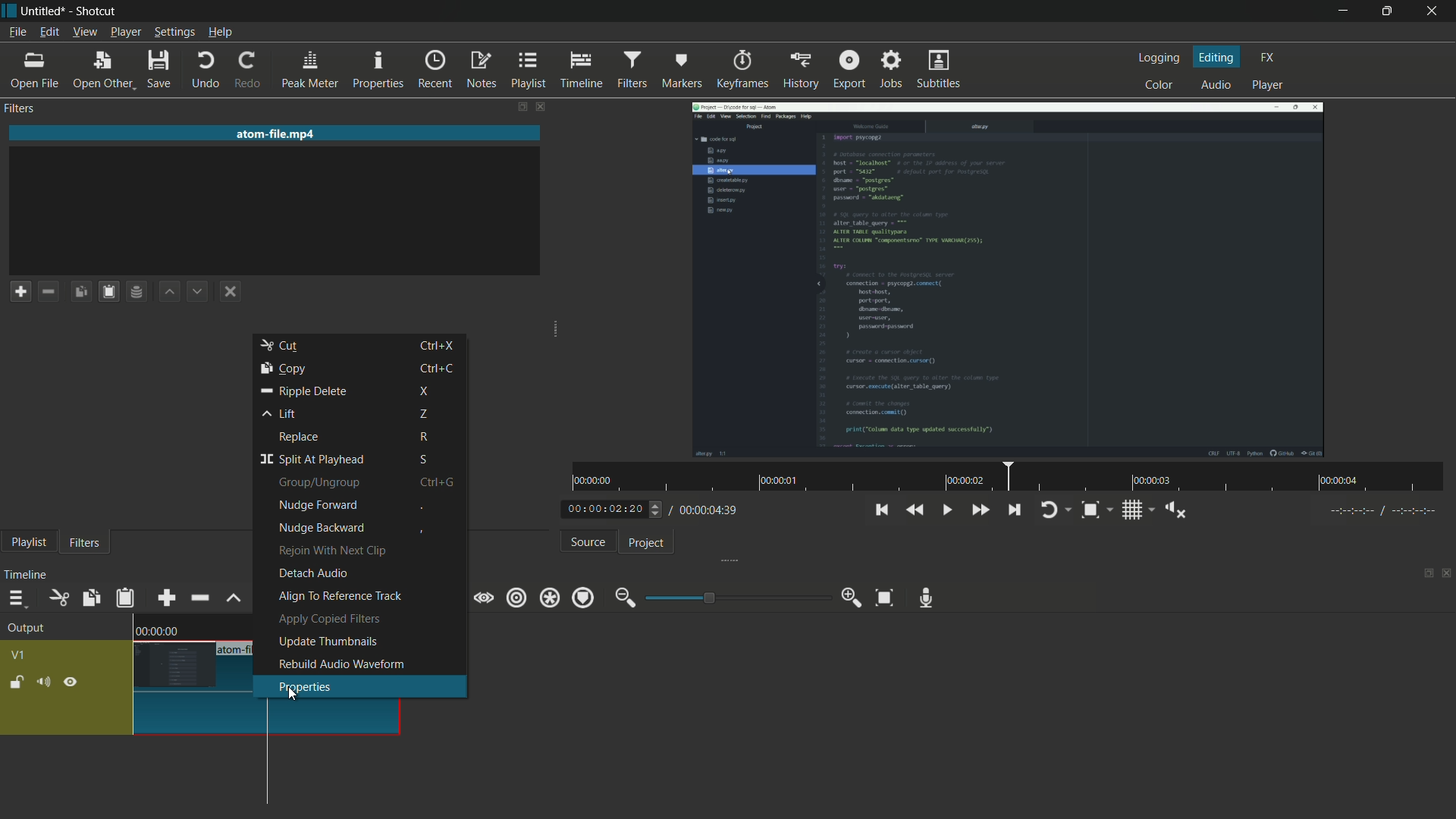 The width and height of the screenshot is (1456, 819). What do you see at coordinates (45, 682) in the screenshot?
I see `mute` at bounding box center [45, 682].